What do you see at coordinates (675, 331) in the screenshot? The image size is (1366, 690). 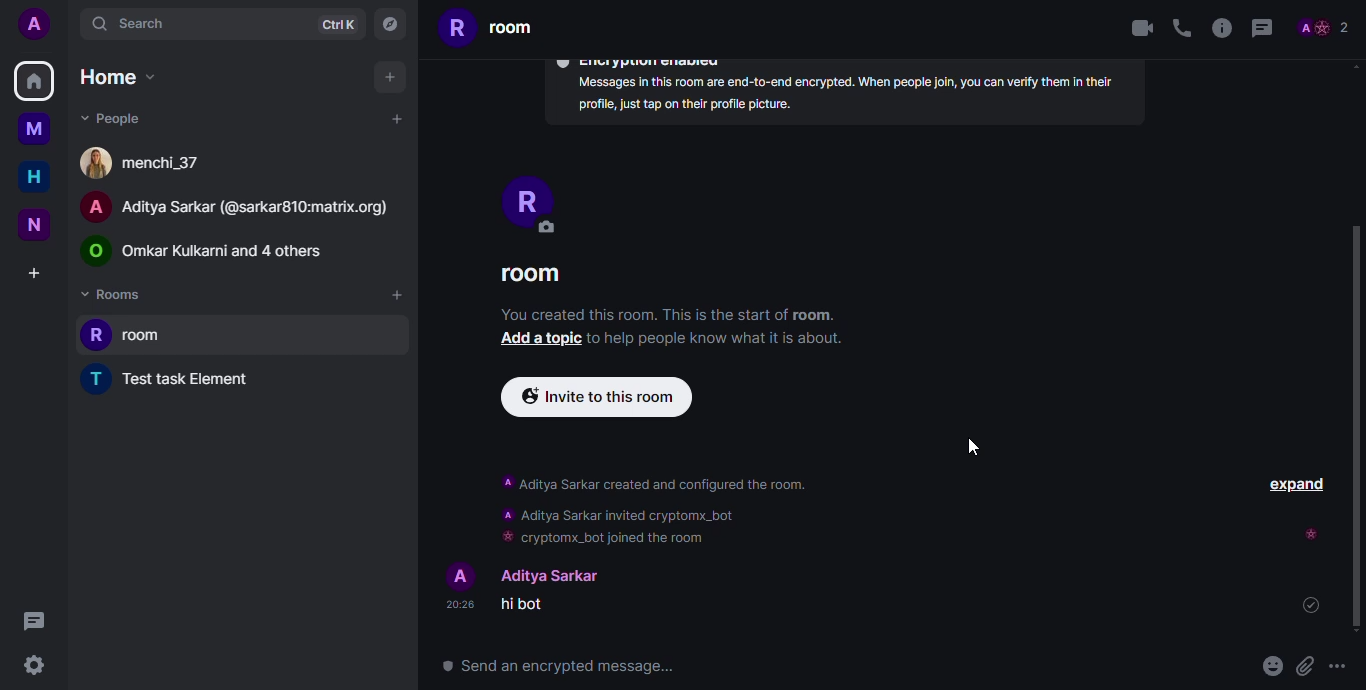 I see `You created this room. This is the start of room.
Add a topic to help people know what it is about.` at bounding box center [675, 331].